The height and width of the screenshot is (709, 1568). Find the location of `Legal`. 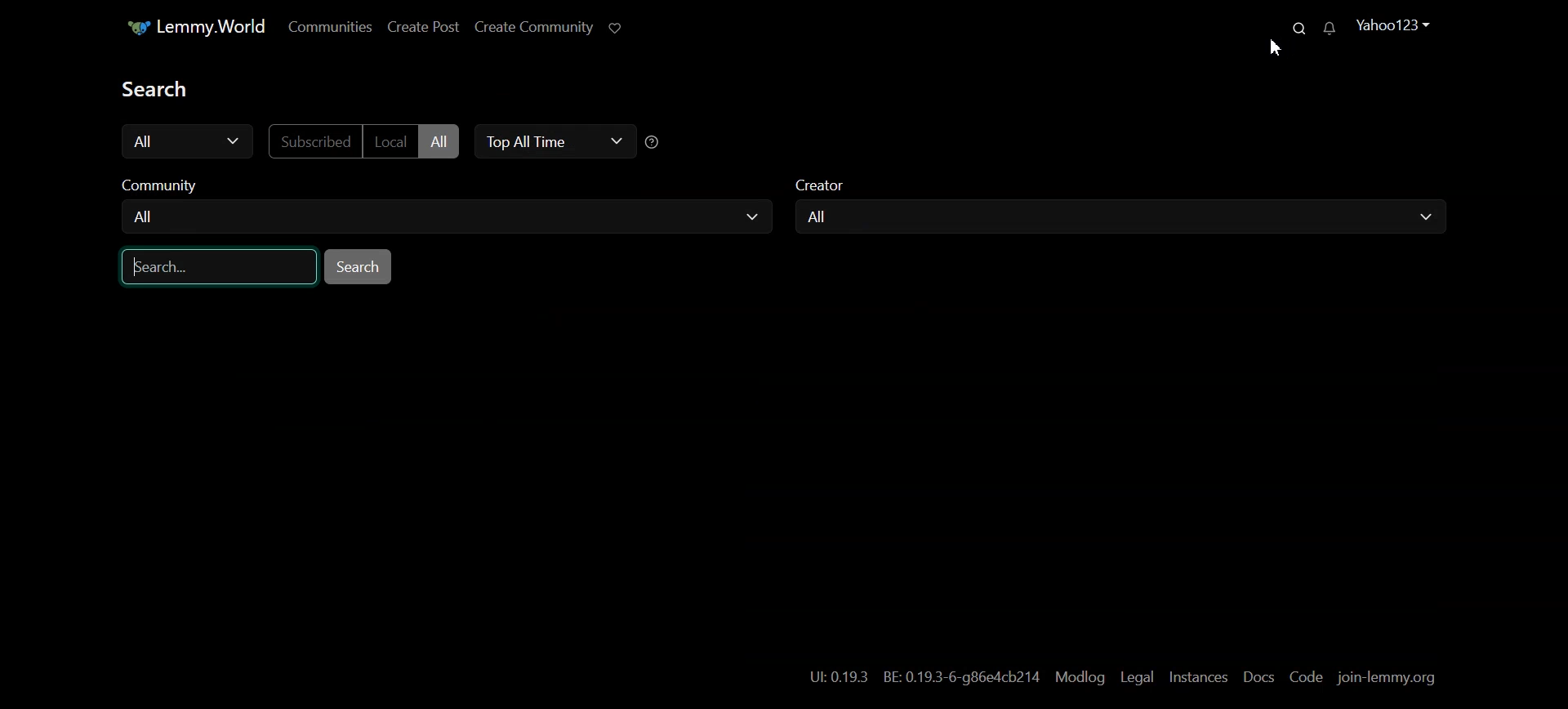

Legal is located at coordinates (1138, 676).